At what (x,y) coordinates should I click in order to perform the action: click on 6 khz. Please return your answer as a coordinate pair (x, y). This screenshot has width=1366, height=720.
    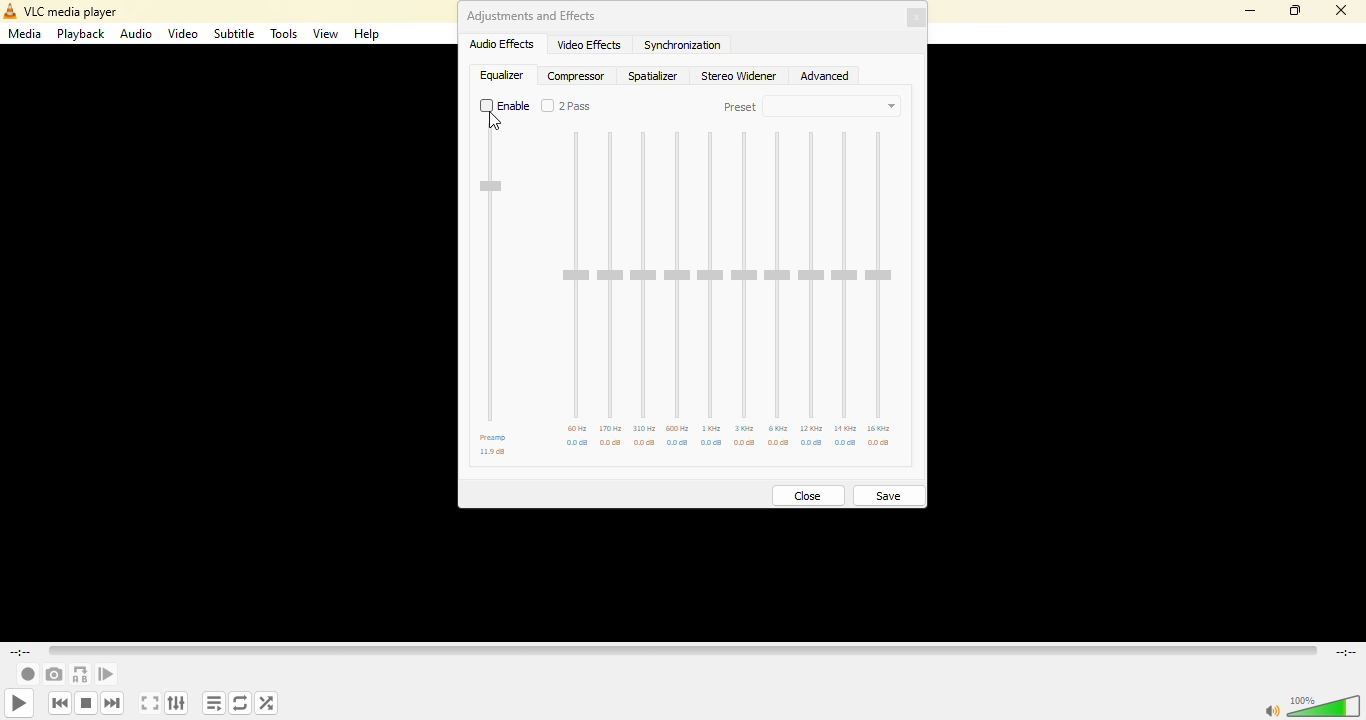
    Looking at the image, I should click on (779, 429).